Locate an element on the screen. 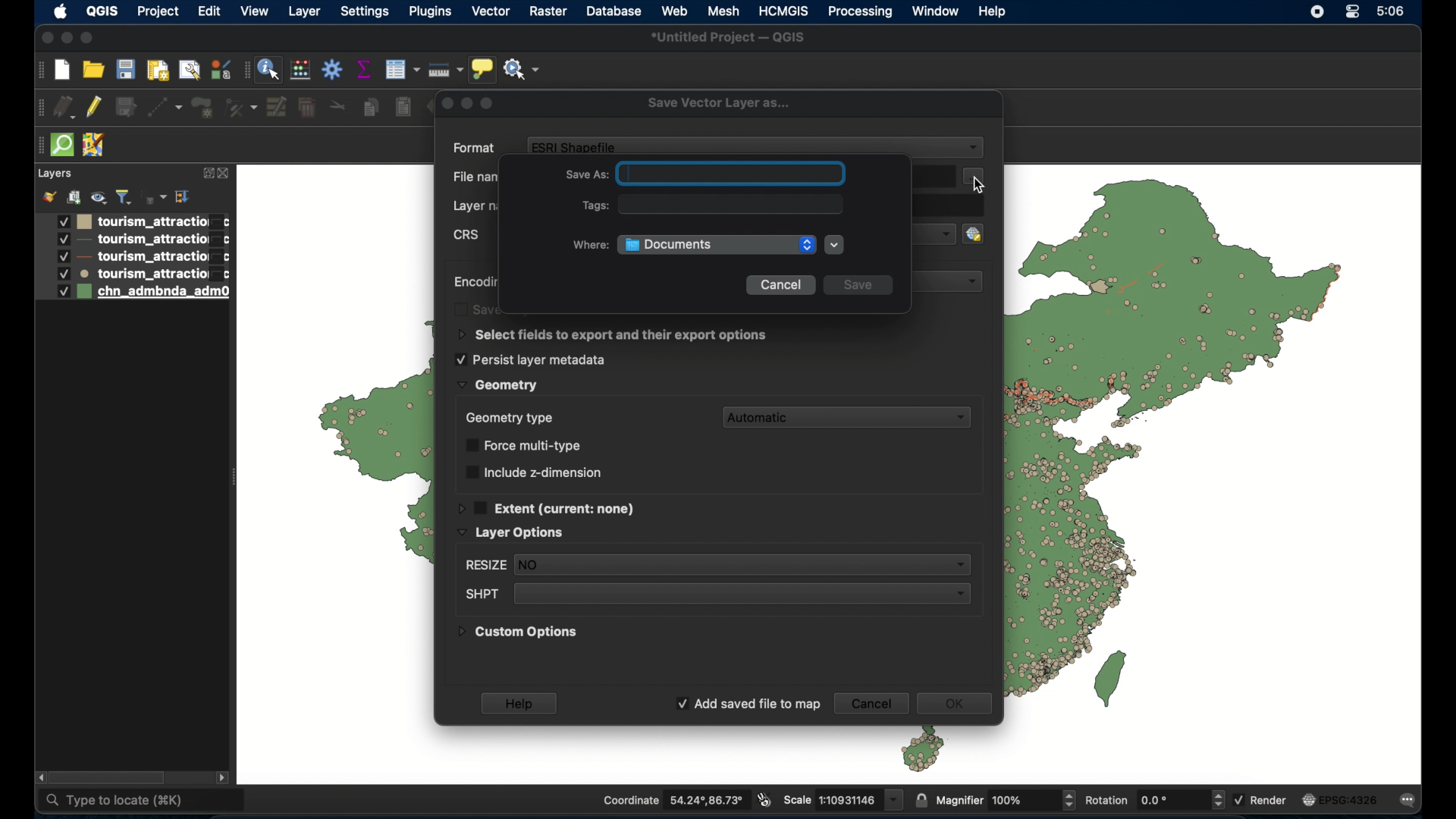  scroll left arrow is located at coordinates (42, 778).